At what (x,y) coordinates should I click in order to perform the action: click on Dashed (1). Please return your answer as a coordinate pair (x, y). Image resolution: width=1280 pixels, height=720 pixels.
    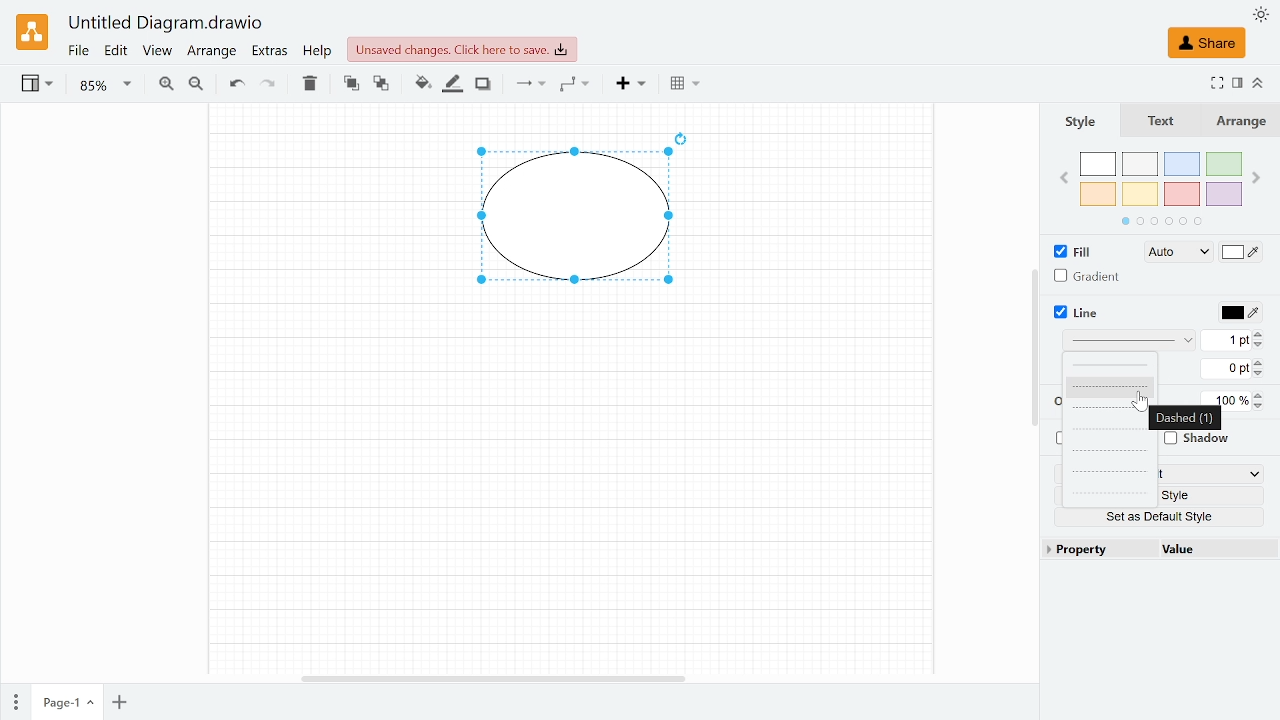
    Looking at the image, I should click on (1185, 418).